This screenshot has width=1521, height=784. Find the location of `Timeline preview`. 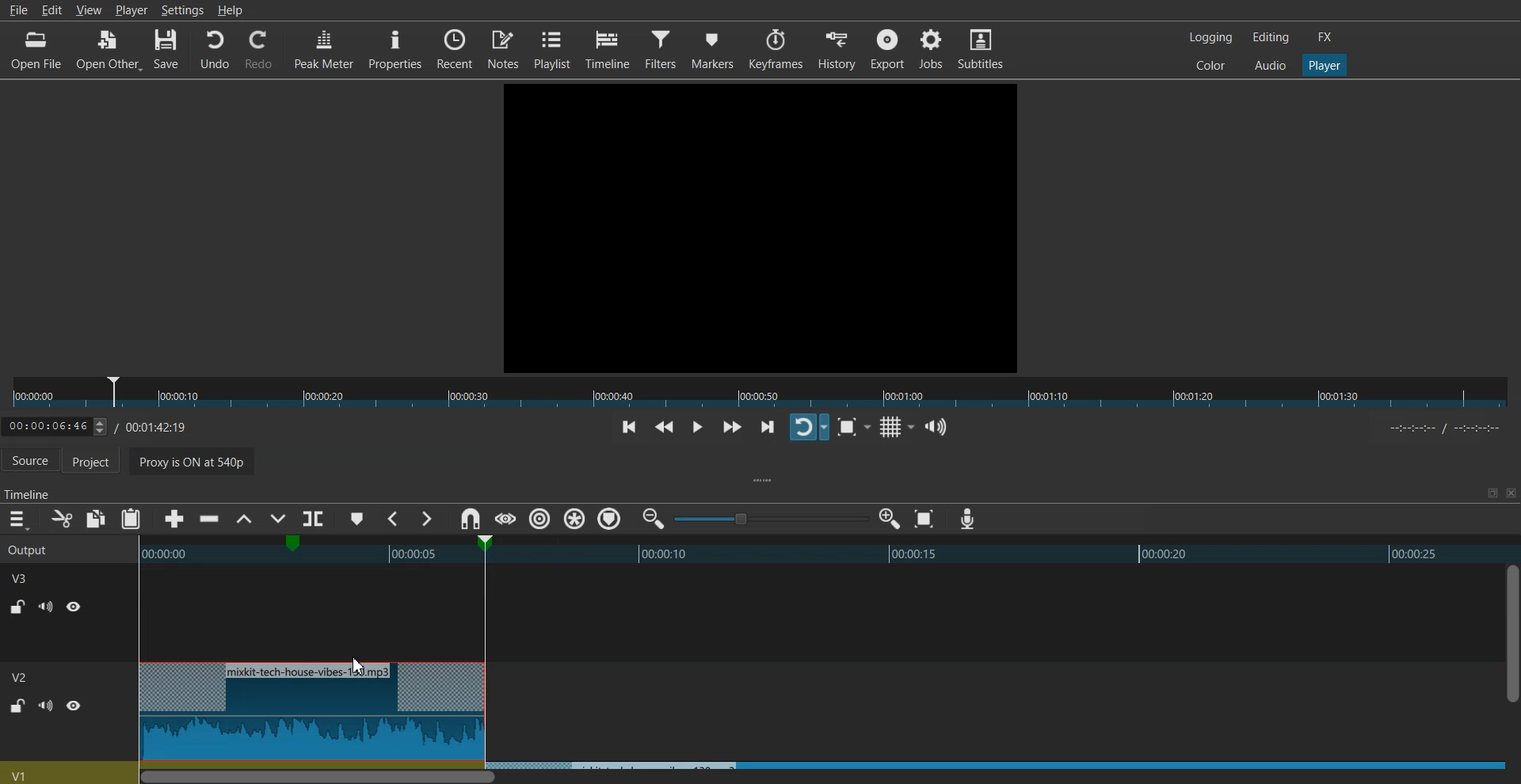

Timeline preview is located at coordinates (817, 552).